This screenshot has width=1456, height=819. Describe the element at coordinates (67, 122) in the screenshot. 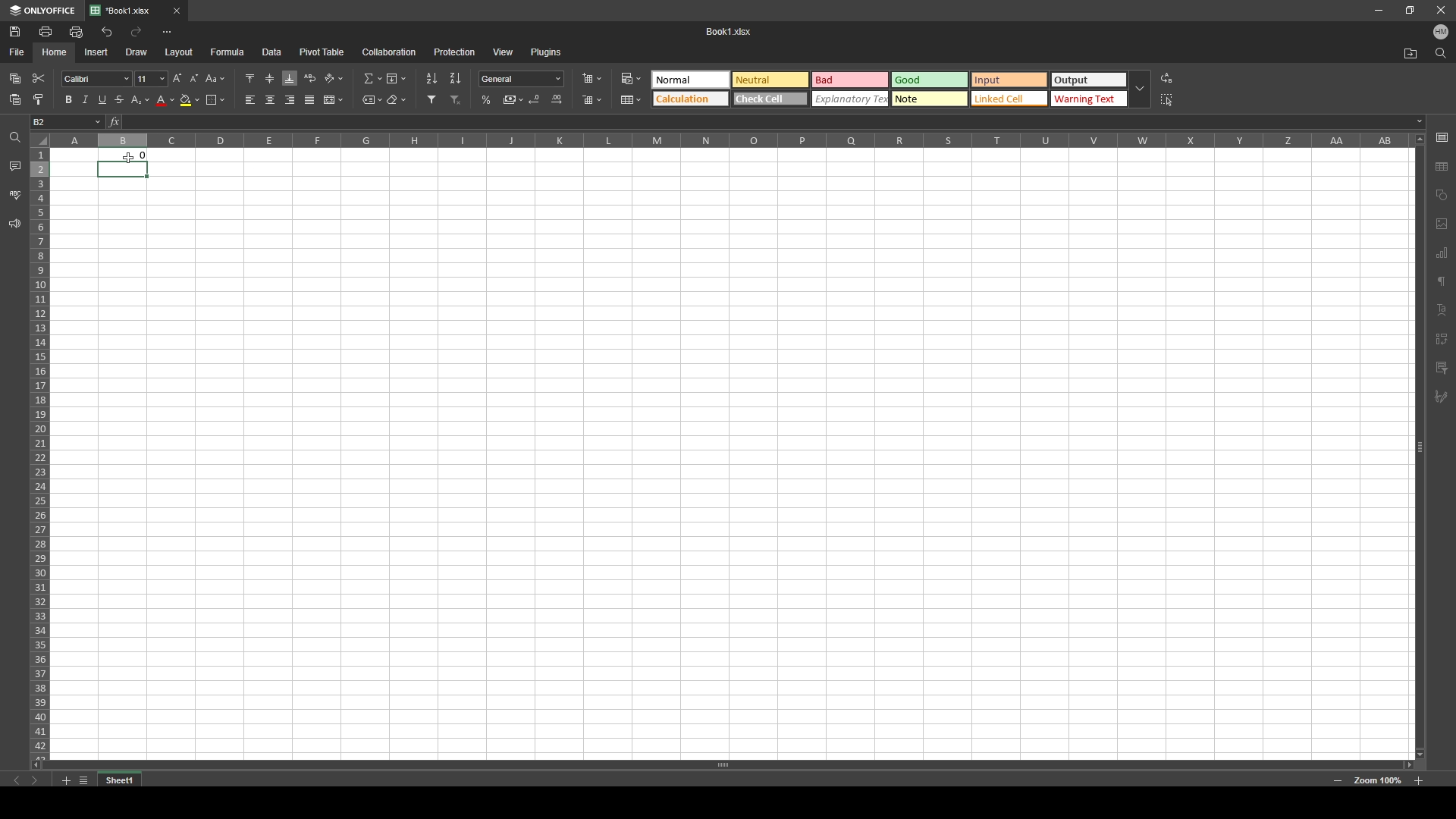

I see `selected cell` at that location.